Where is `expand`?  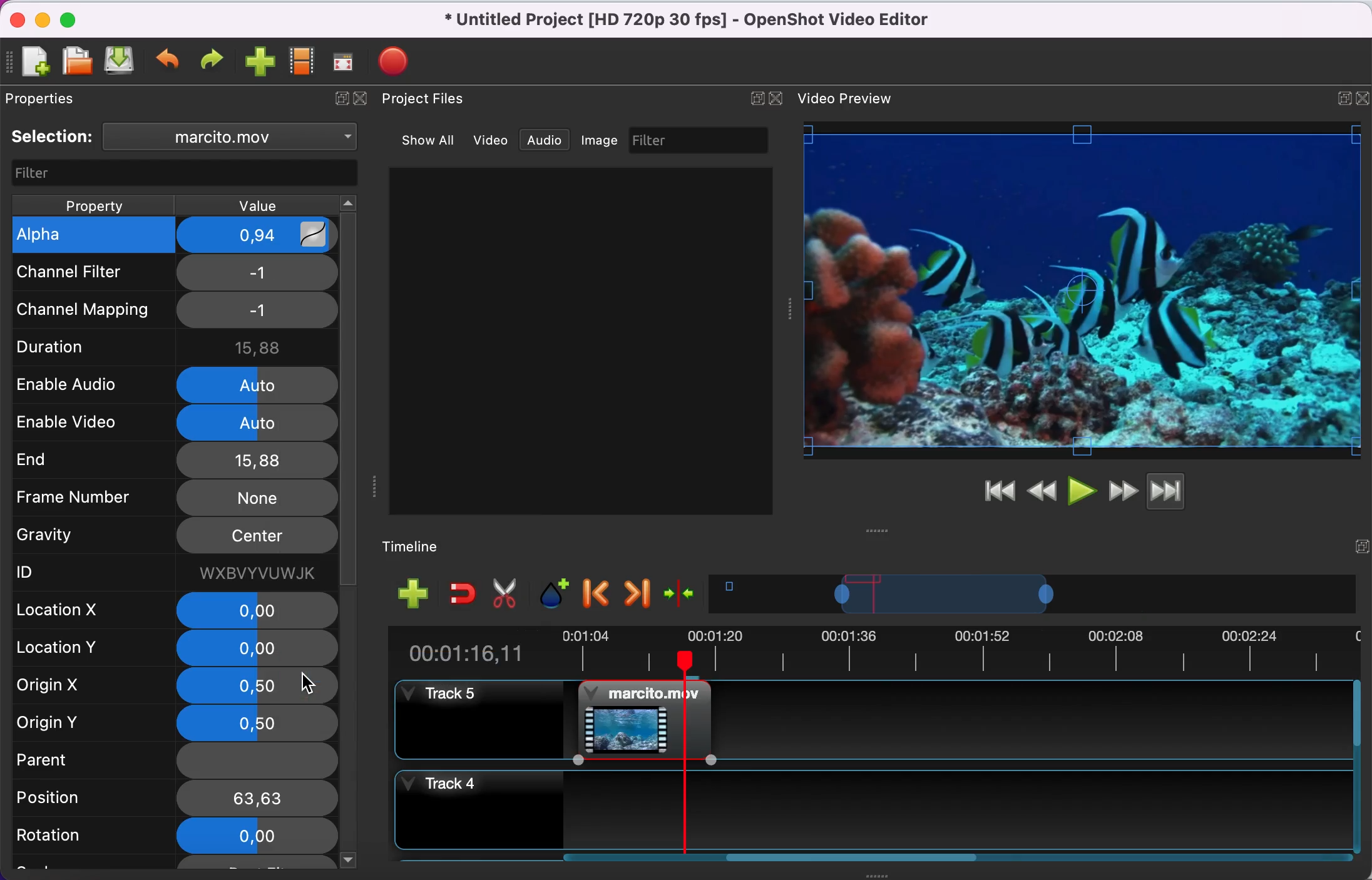 expand is located at coordinates (340, 98).